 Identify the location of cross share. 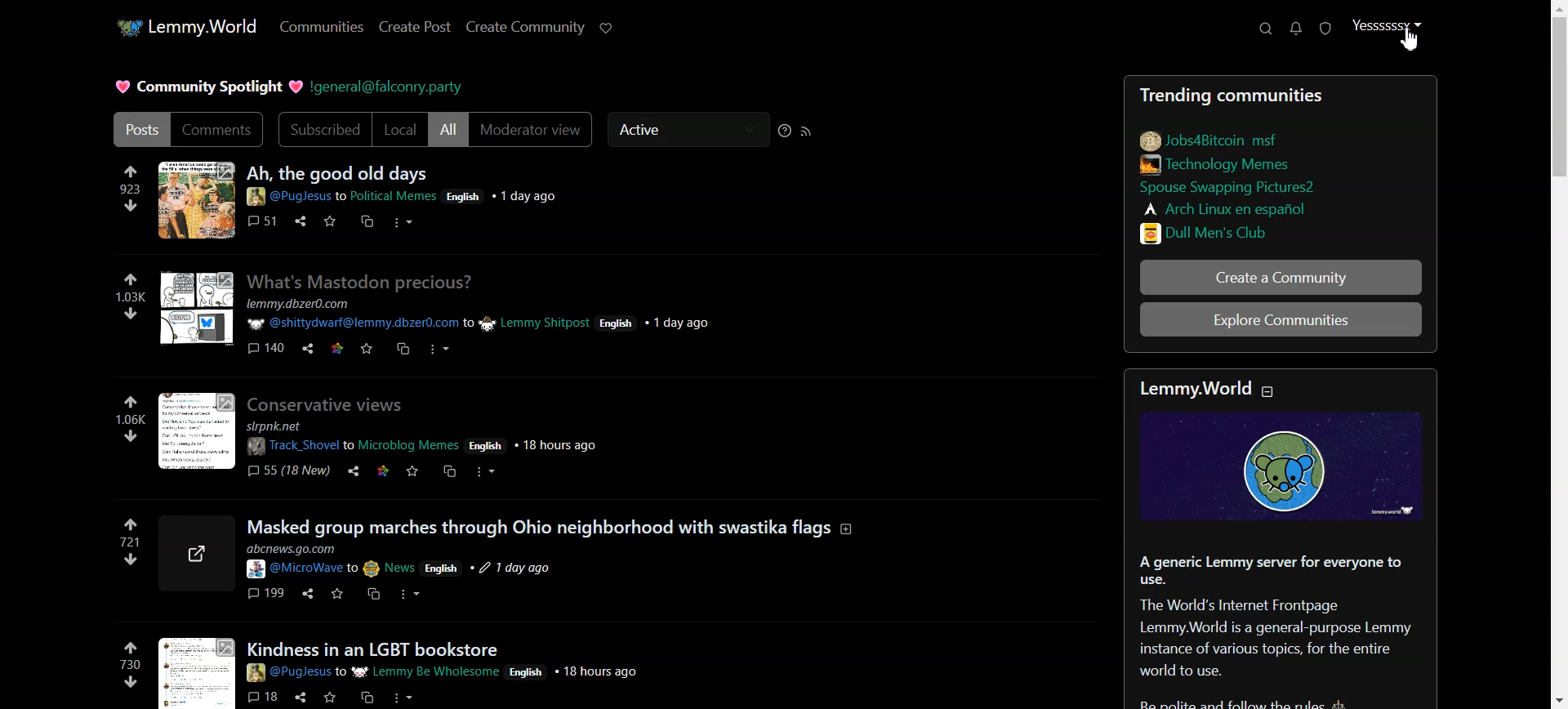
(372, 591).